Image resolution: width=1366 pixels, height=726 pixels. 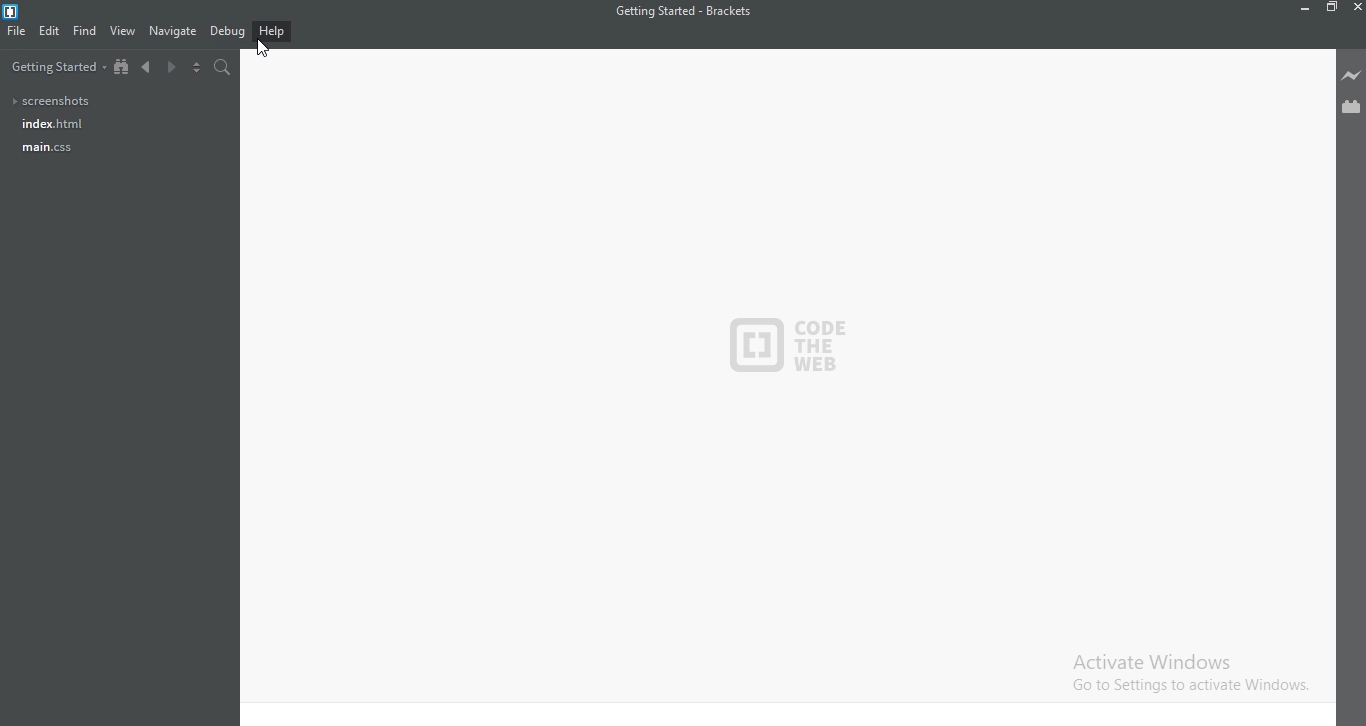 What do you see at coordinates (146, 67) in the screenshot?
I see `Previous document` at bounding box center [146, 67].